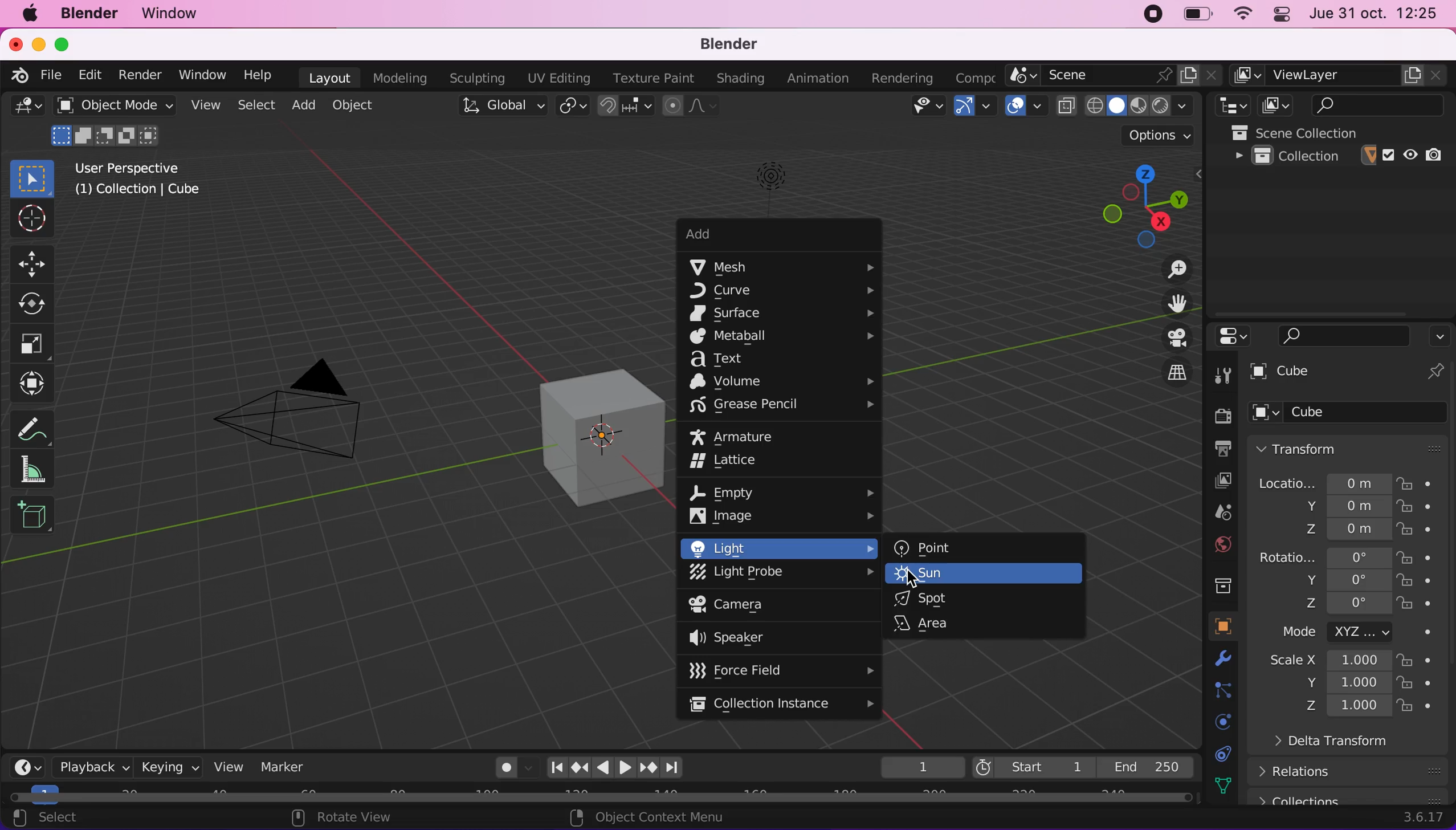 This screenshot has width=1456, height=830. What do you see at coordinates (168, 765) in the screenshot?
I see `keying` at bounding box center [168, 765].